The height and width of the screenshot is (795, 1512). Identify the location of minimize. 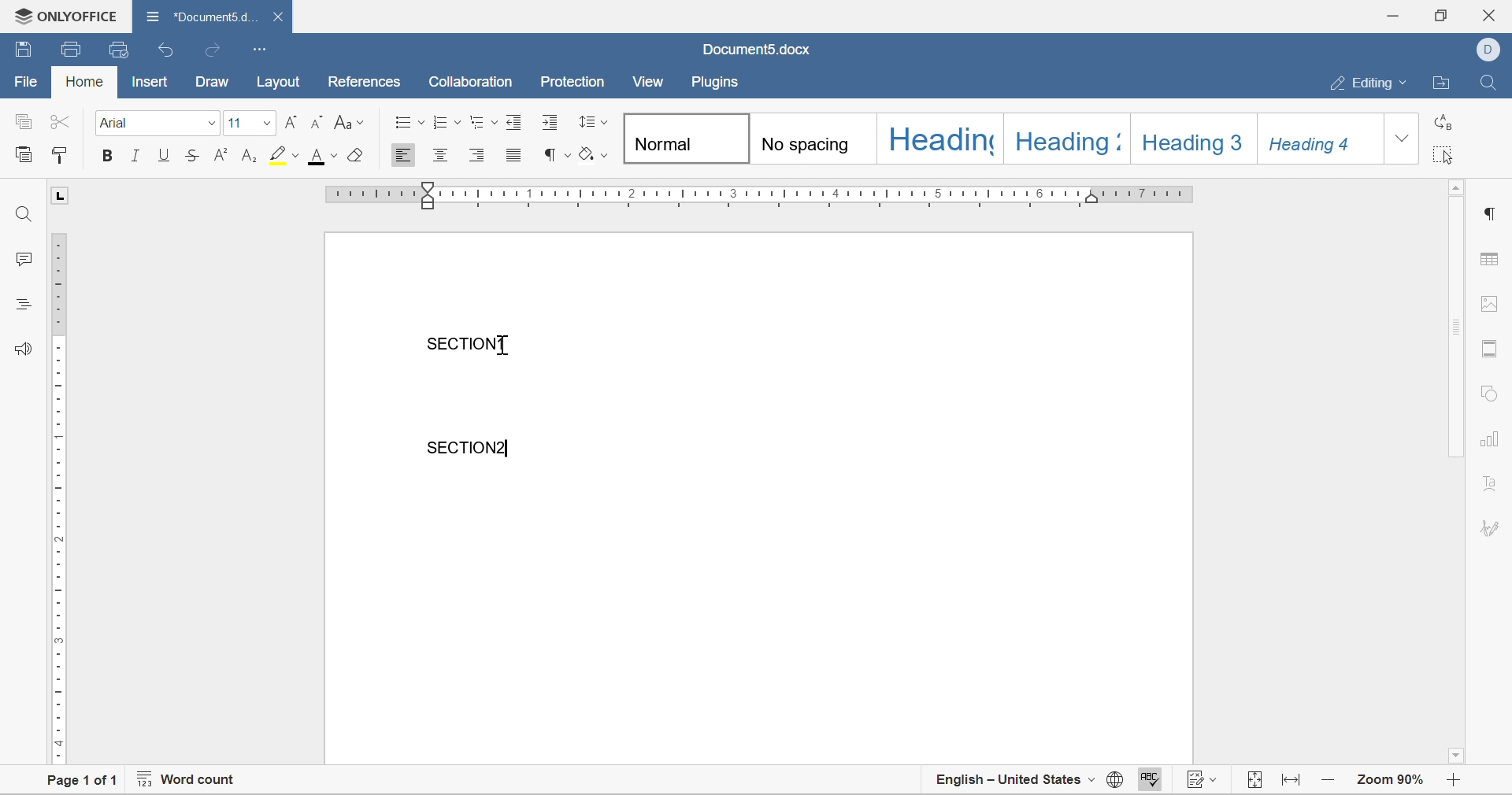
(1396, 13).